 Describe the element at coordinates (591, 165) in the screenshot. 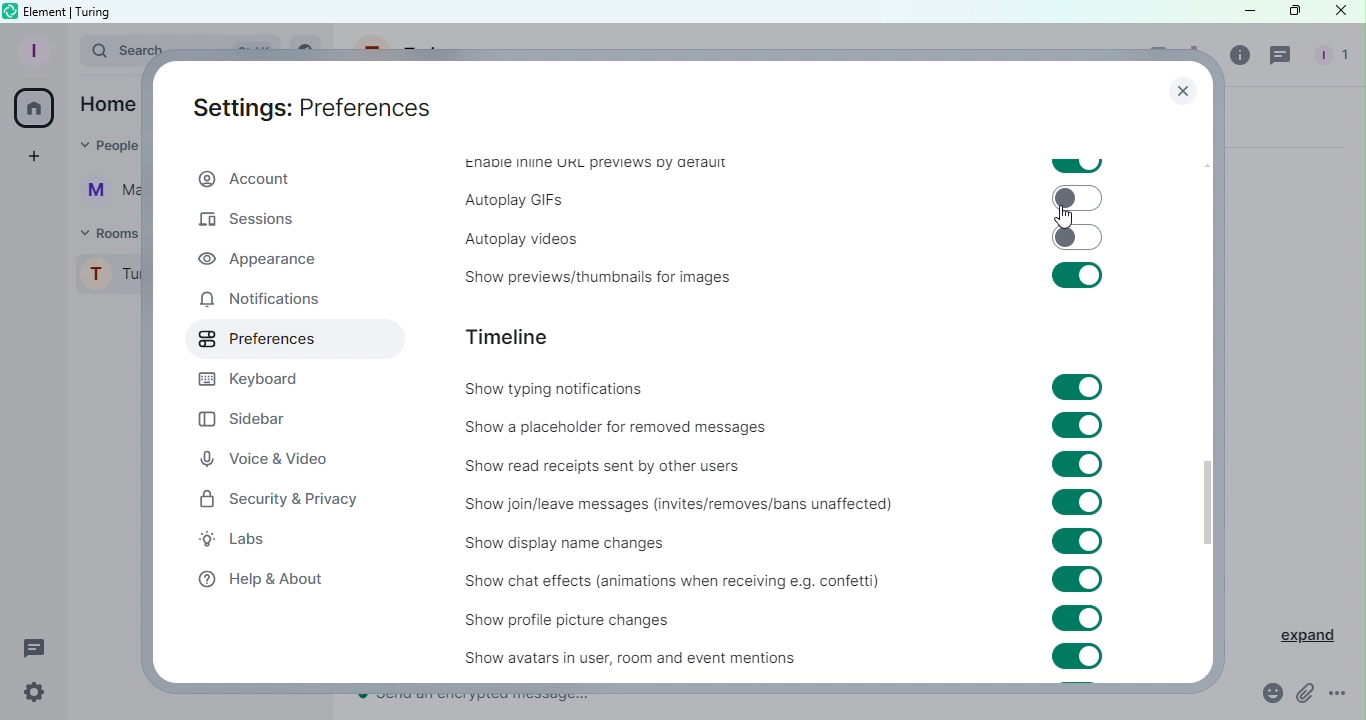

I see `Enable inline URL preview by default` at that location.